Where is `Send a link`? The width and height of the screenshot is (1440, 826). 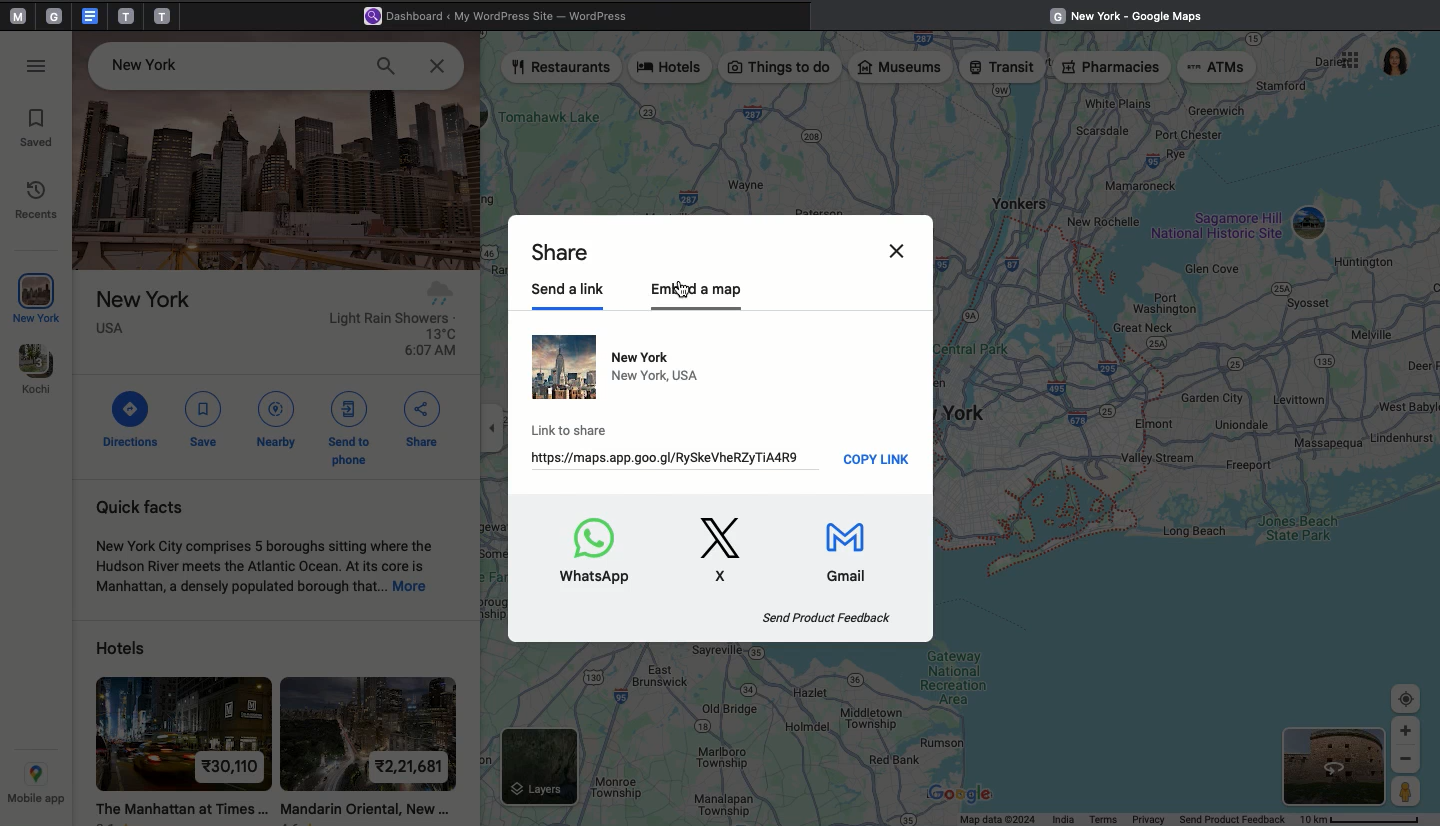
Send a link is located at coordinates (576, 292).